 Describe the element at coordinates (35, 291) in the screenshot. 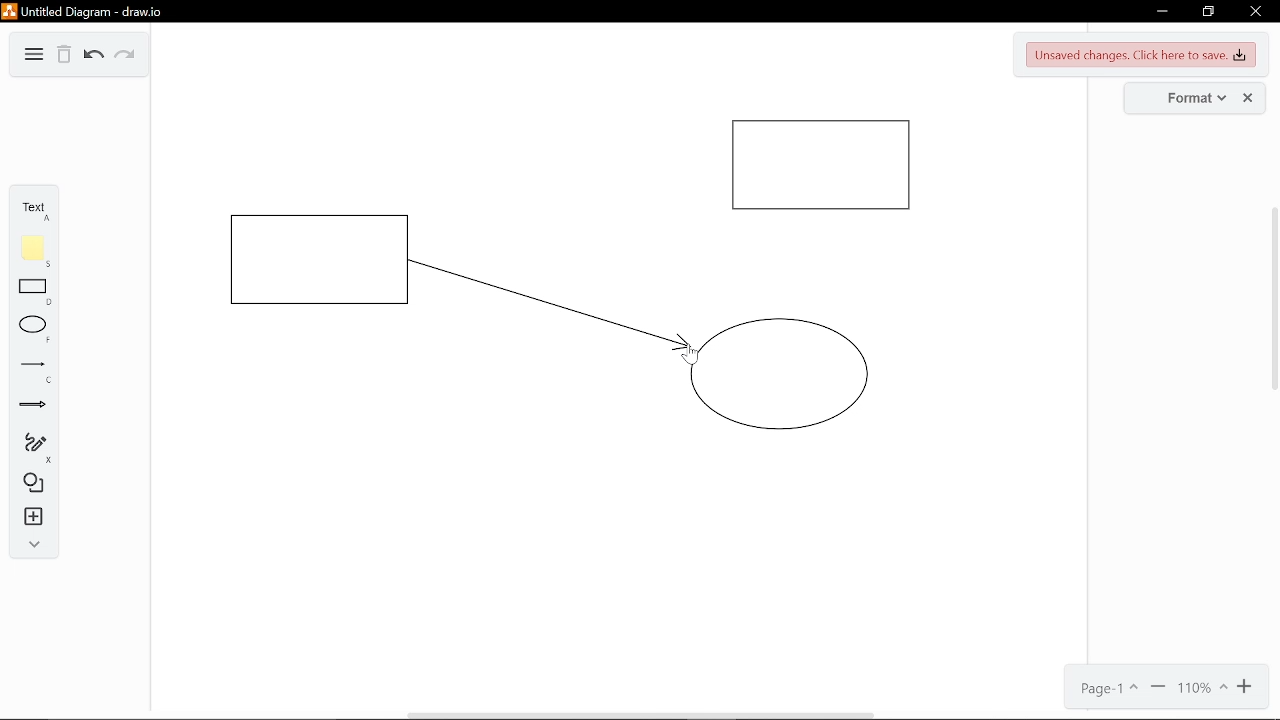

I see `Rectangle` at that location.